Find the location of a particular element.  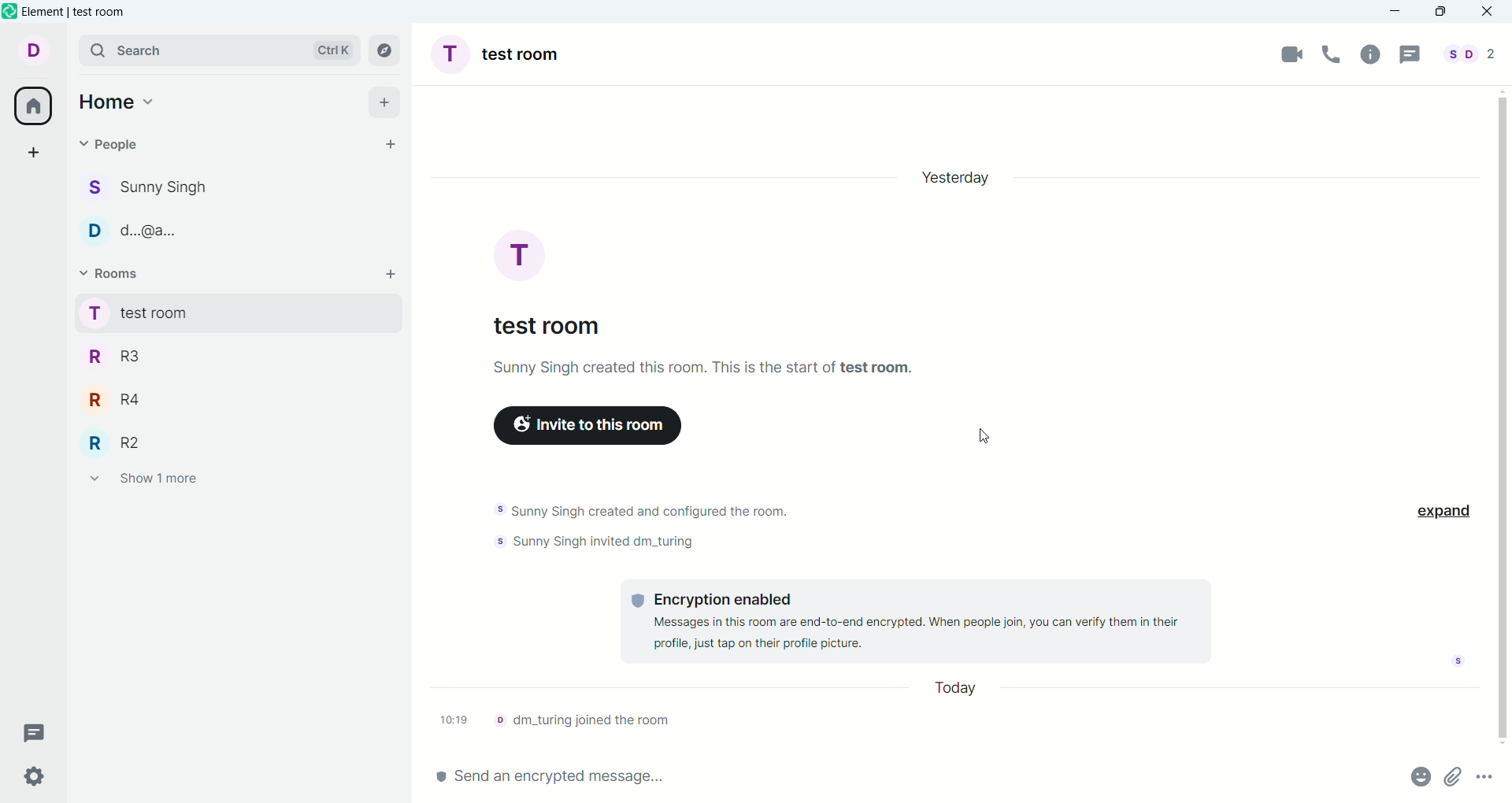

room info is located at coordinates (1376, 57).